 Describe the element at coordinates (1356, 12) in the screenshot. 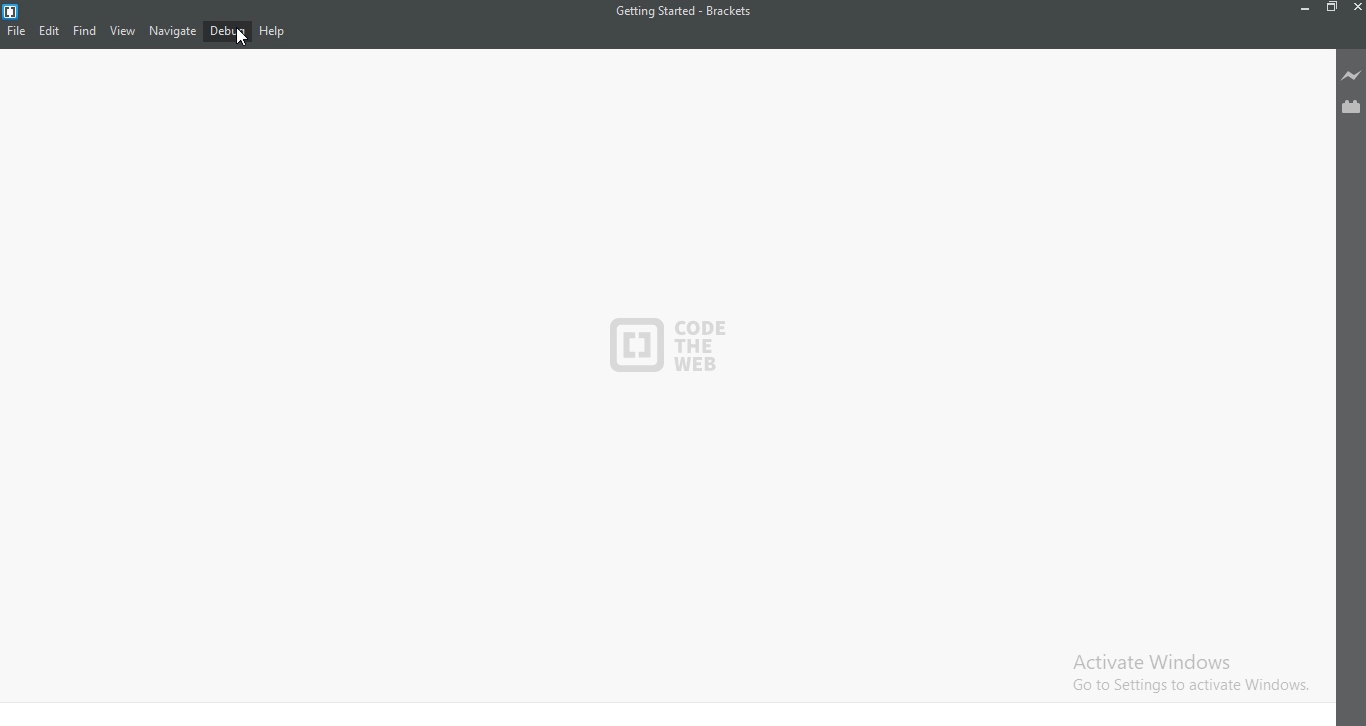

I see `close` at that location.